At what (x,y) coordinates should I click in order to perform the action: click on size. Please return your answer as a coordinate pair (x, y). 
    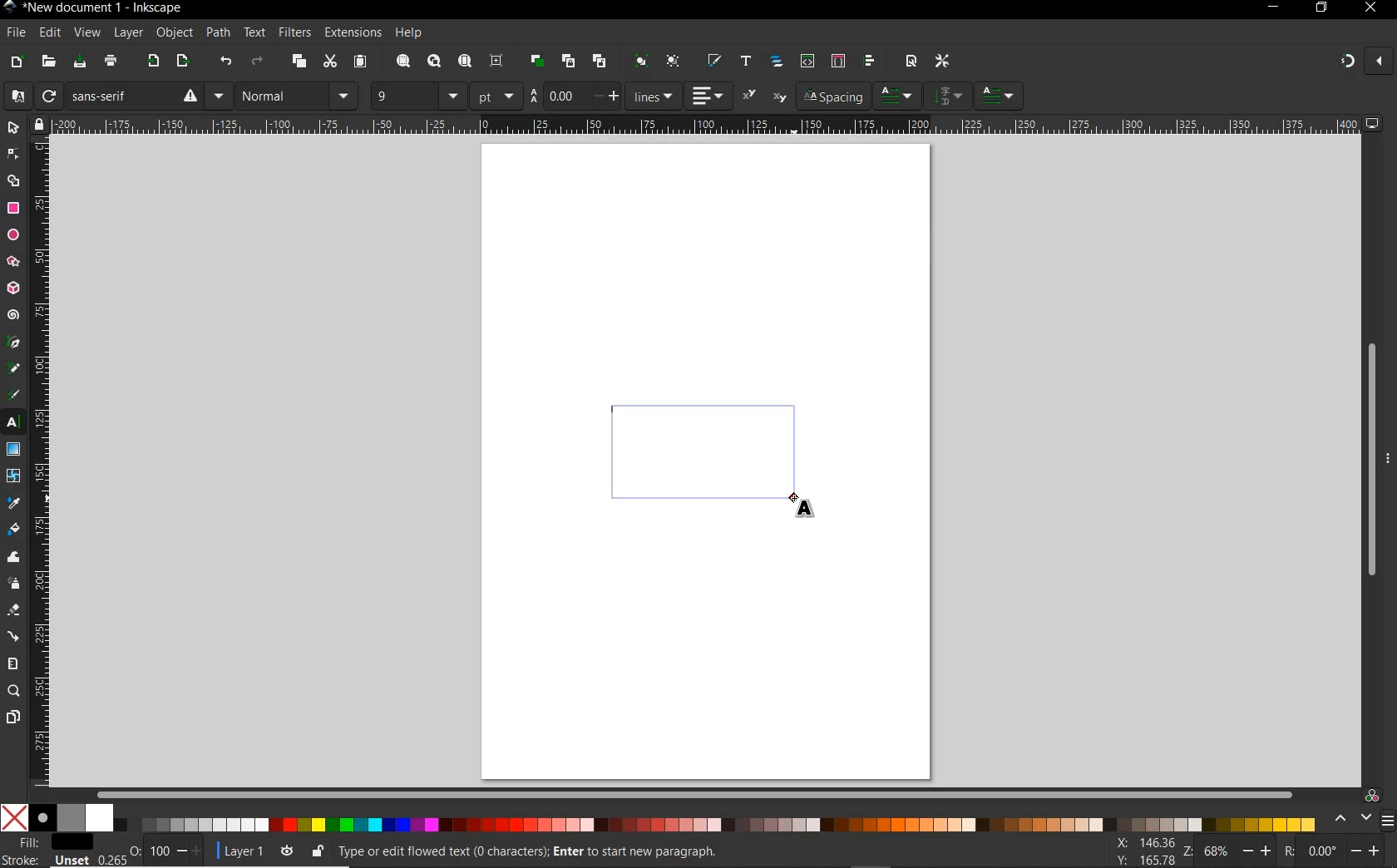
    Looking at the image, I should click on (453, 96).